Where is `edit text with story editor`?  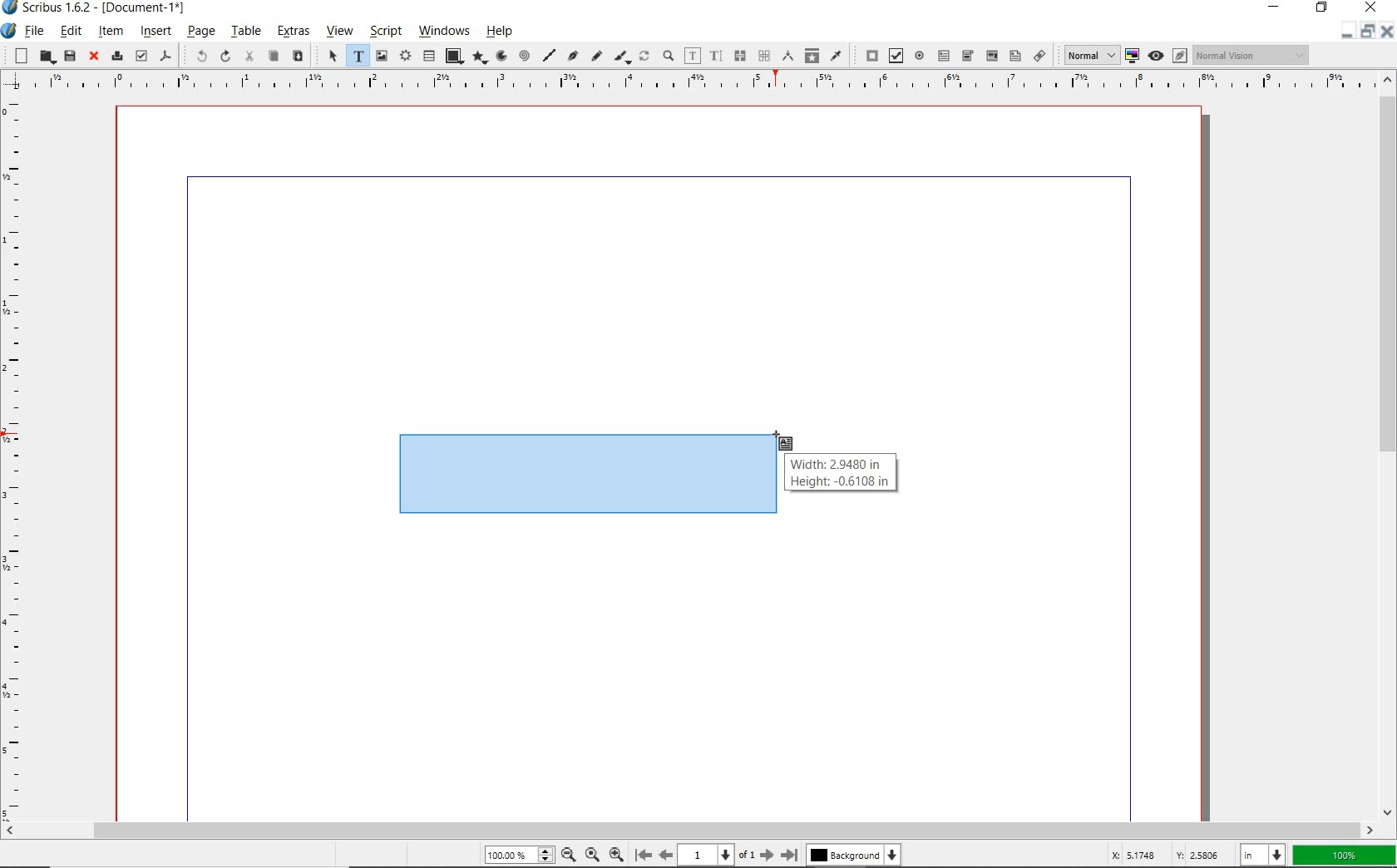 edit text with story editor is located at coordinates (715, 56).